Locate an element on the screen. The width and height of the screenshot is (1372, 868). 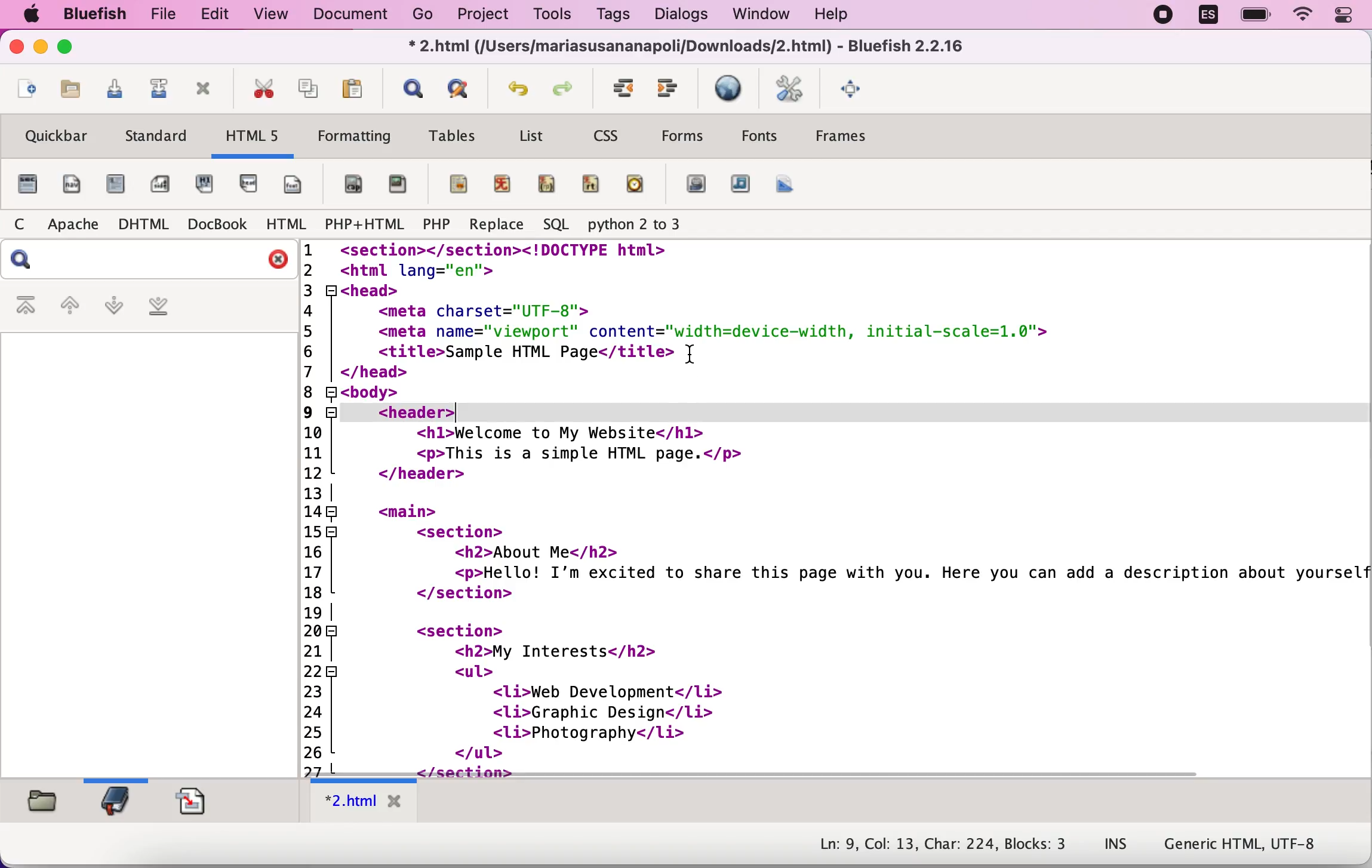
document is located at coordinates (348, 16).